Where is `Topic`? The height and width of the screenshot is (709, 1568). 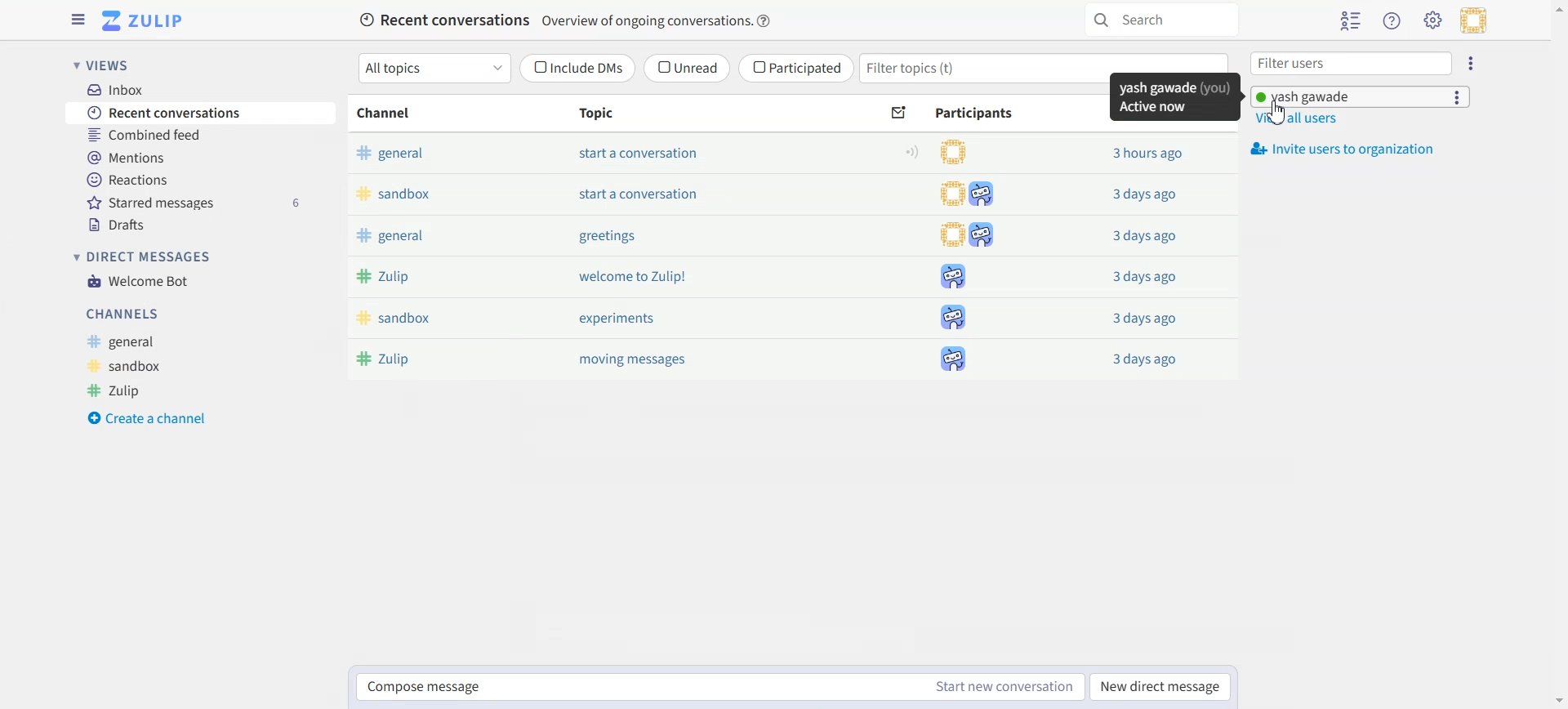 Topic is located at coordinates (603, 118).